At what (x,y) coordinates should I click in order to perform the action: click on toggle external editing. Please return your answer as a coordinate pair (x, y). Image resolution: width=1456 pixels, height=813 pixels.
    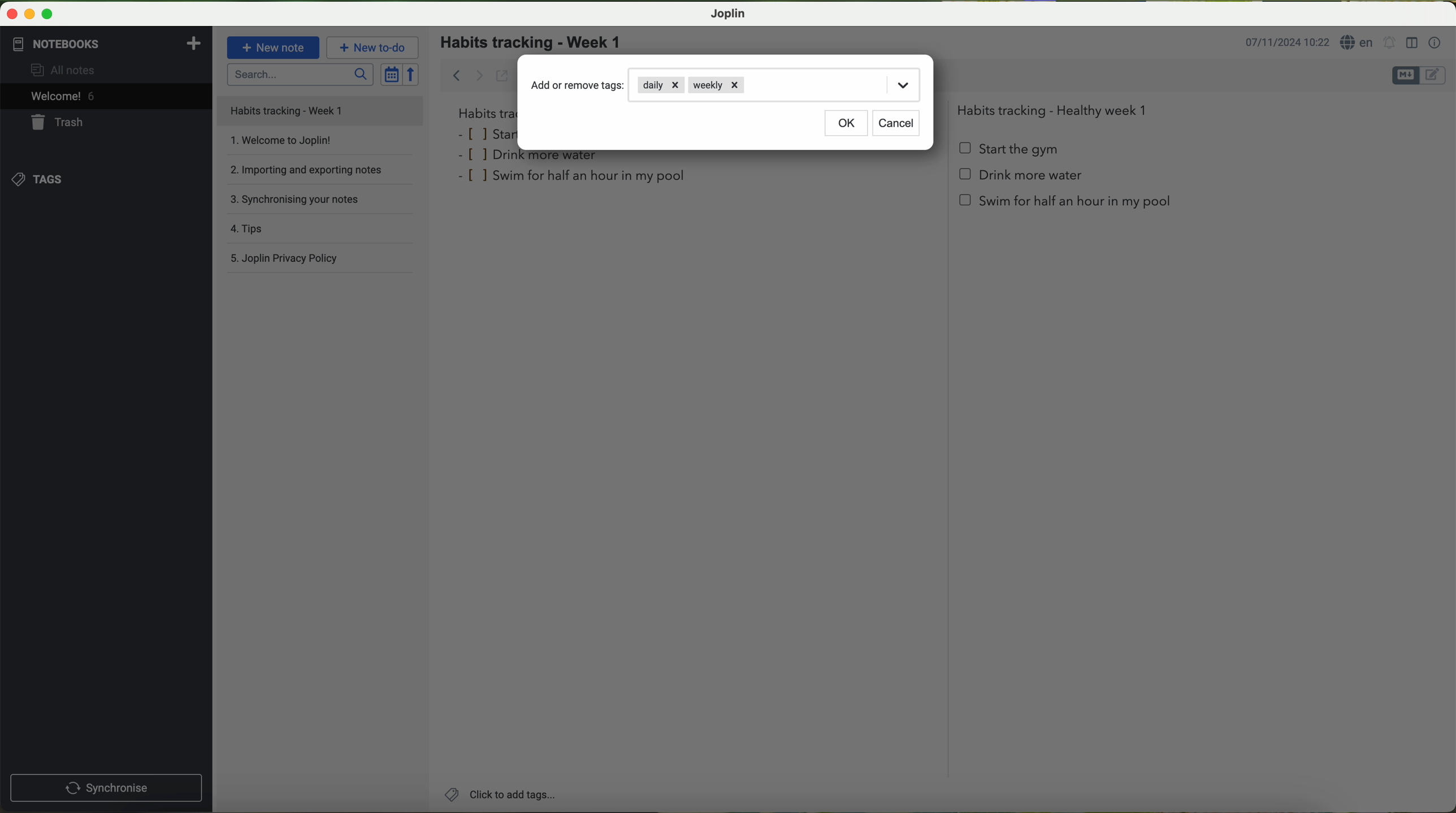
    Looking at the image, I should click on (502, 75).